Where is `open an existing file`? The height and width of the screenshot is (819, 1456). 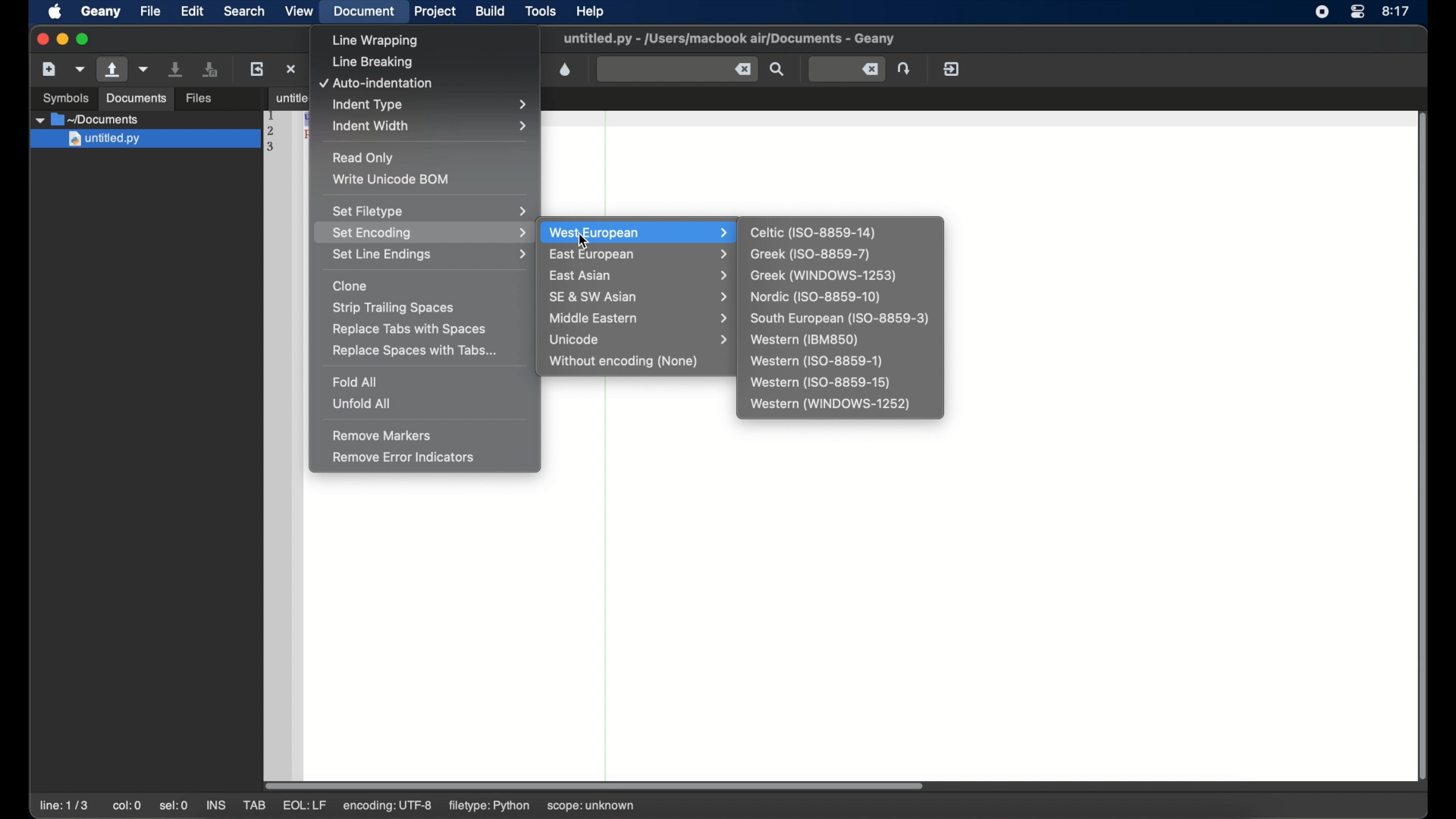 open an existing file is located at coordinates (112, 70).